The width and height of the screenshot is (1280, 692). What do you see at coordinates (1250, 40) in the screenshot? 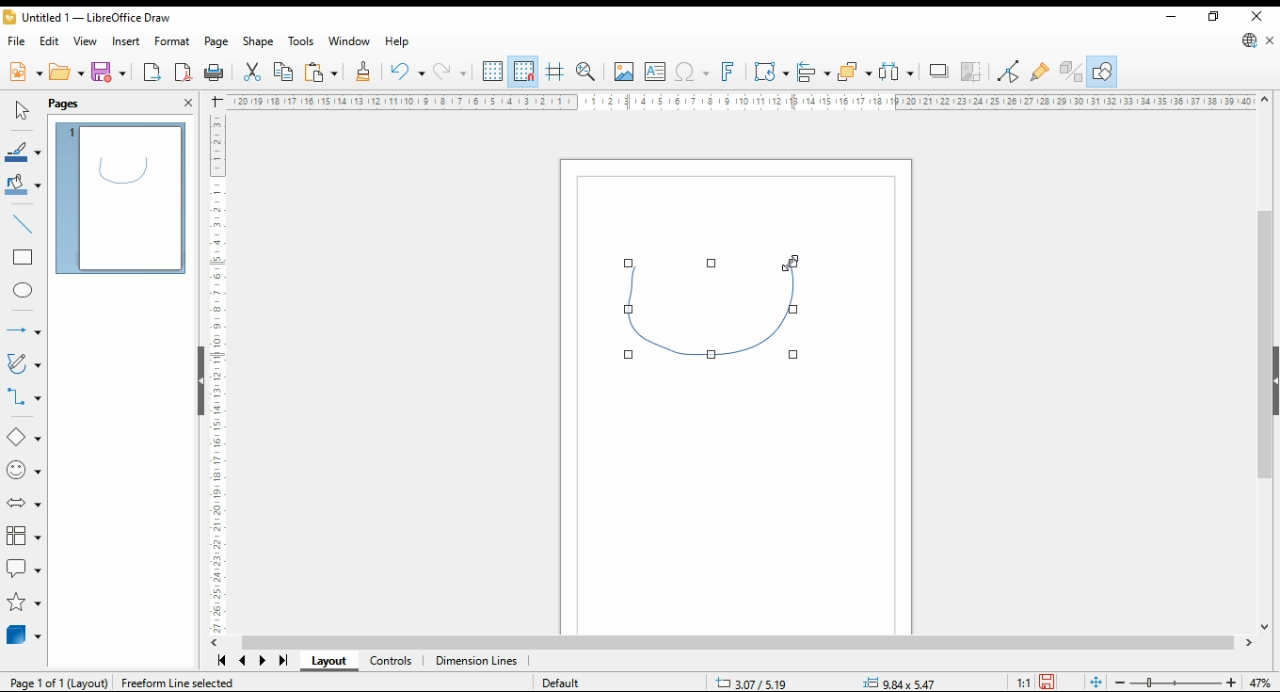
I see `libreoffice update` at bounding box center [1250, 40].